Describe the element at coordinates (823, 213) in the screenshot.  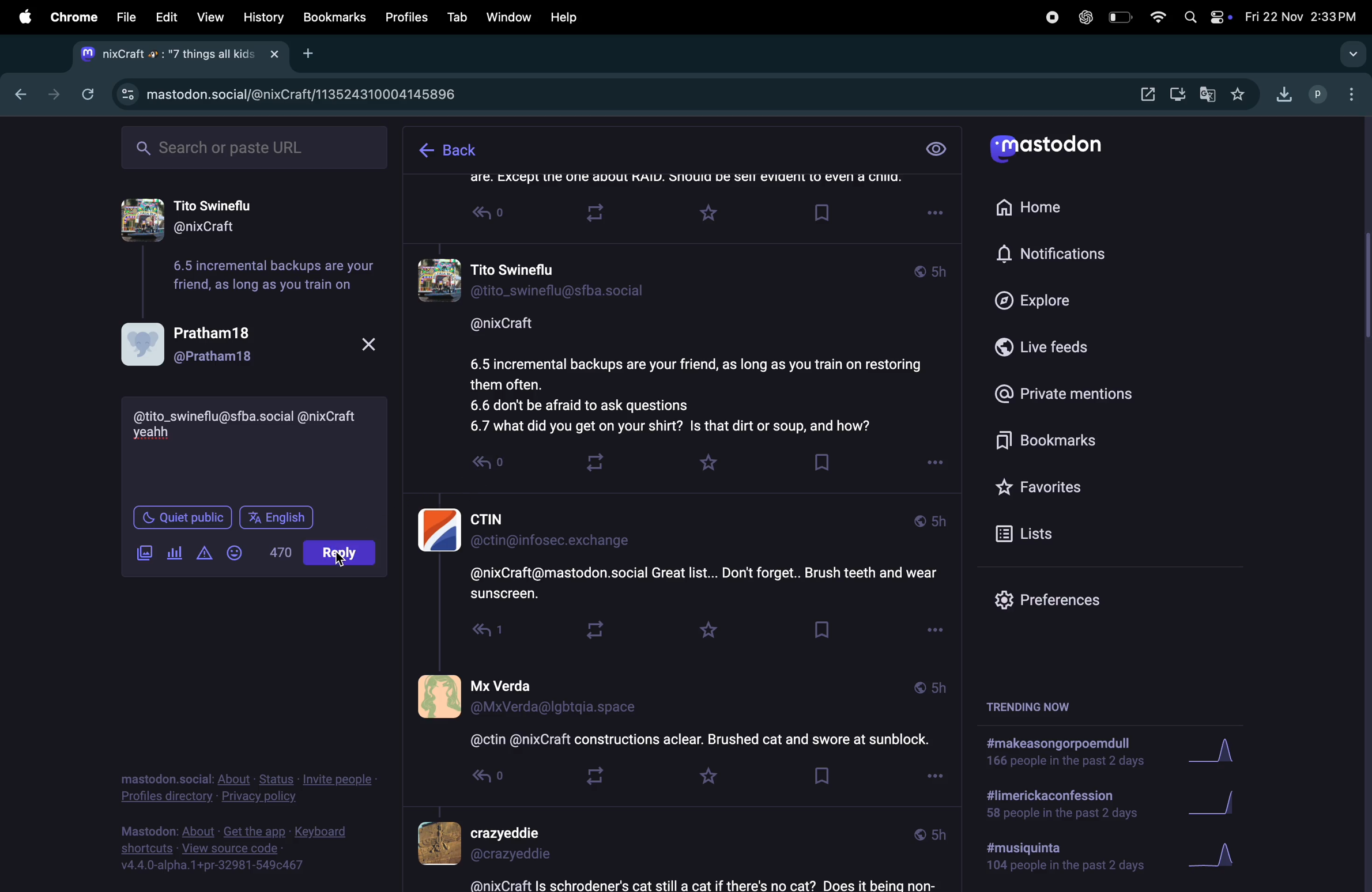
I see `Bookmark` at that location.